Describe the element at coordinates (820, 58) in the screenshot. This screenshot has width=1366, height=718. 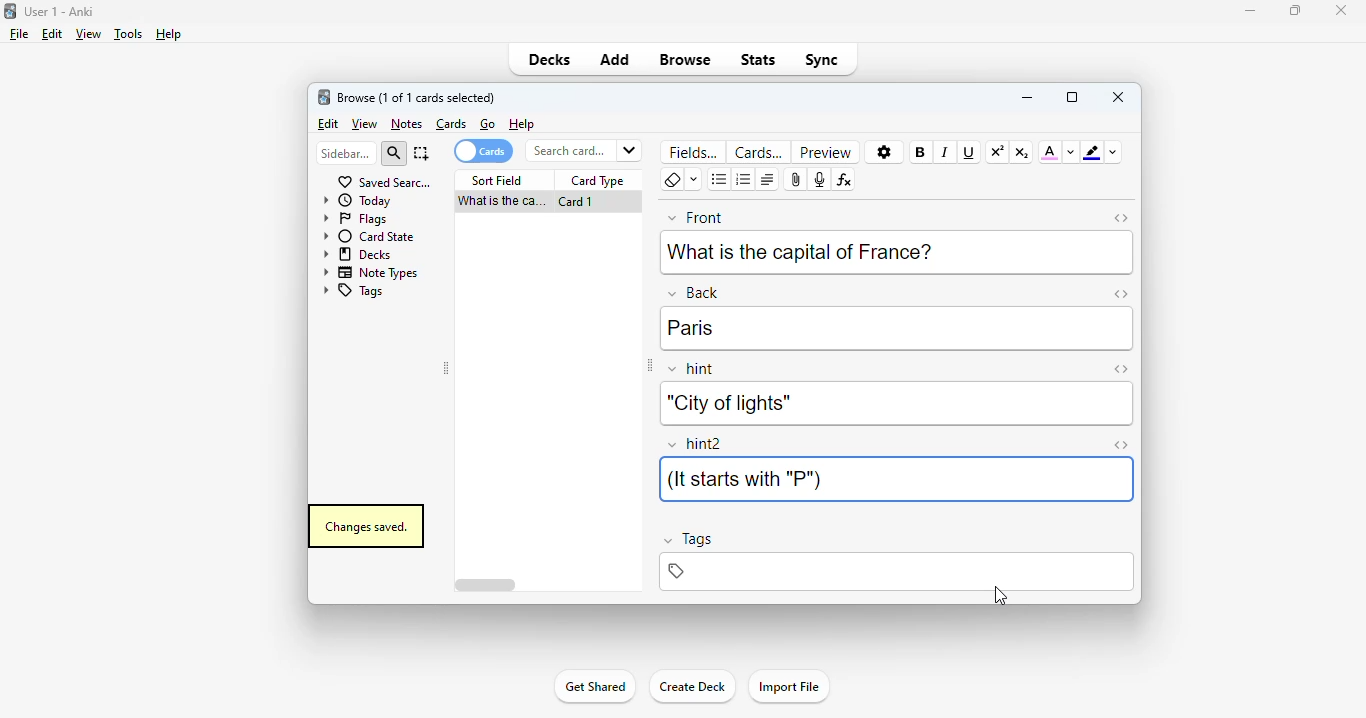
I see `sync` at that location.